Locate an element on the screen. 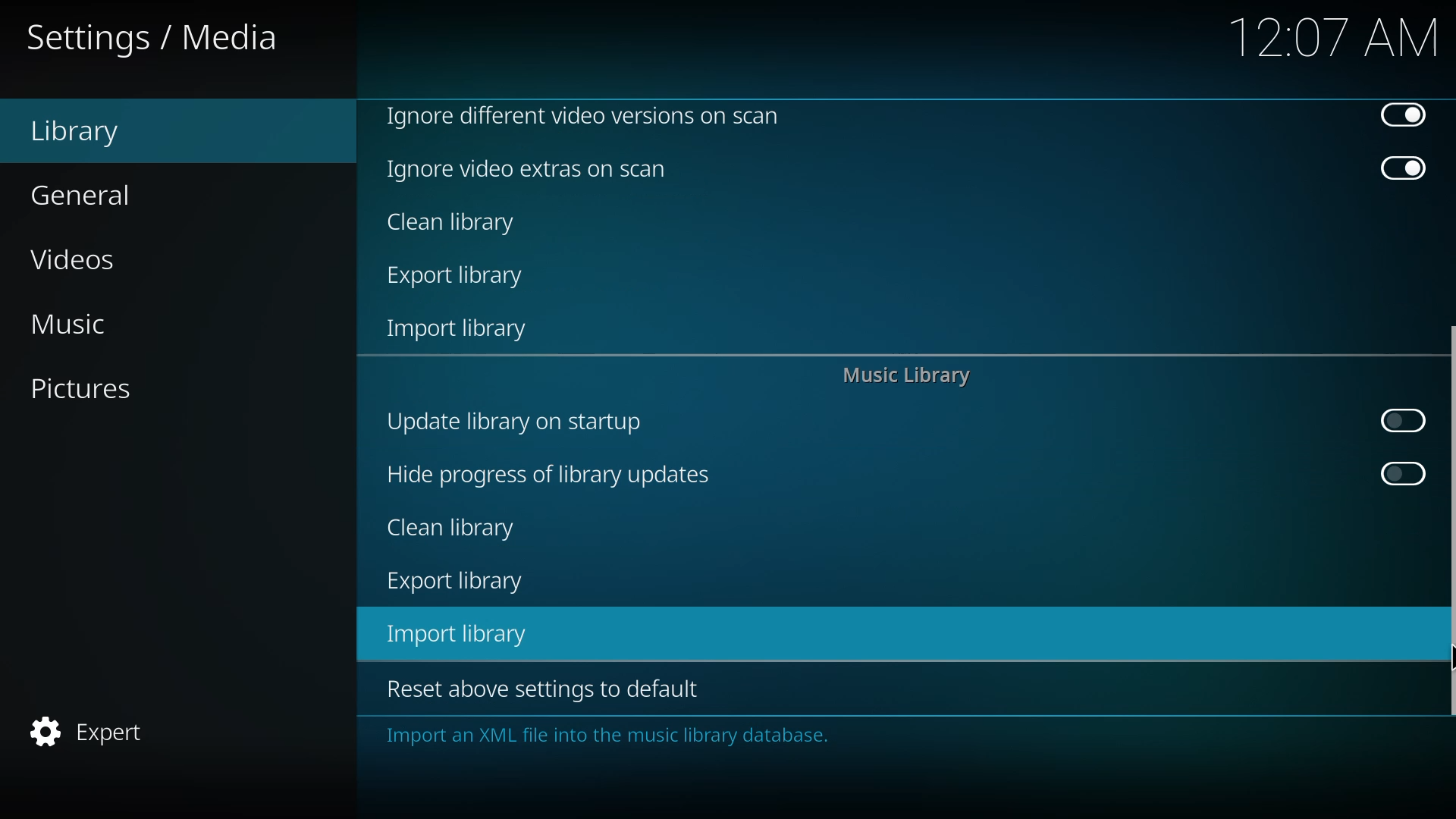 Image resolution: width=1456 pixels, height=819 pixels. clean is located at coordinates (453, 224).